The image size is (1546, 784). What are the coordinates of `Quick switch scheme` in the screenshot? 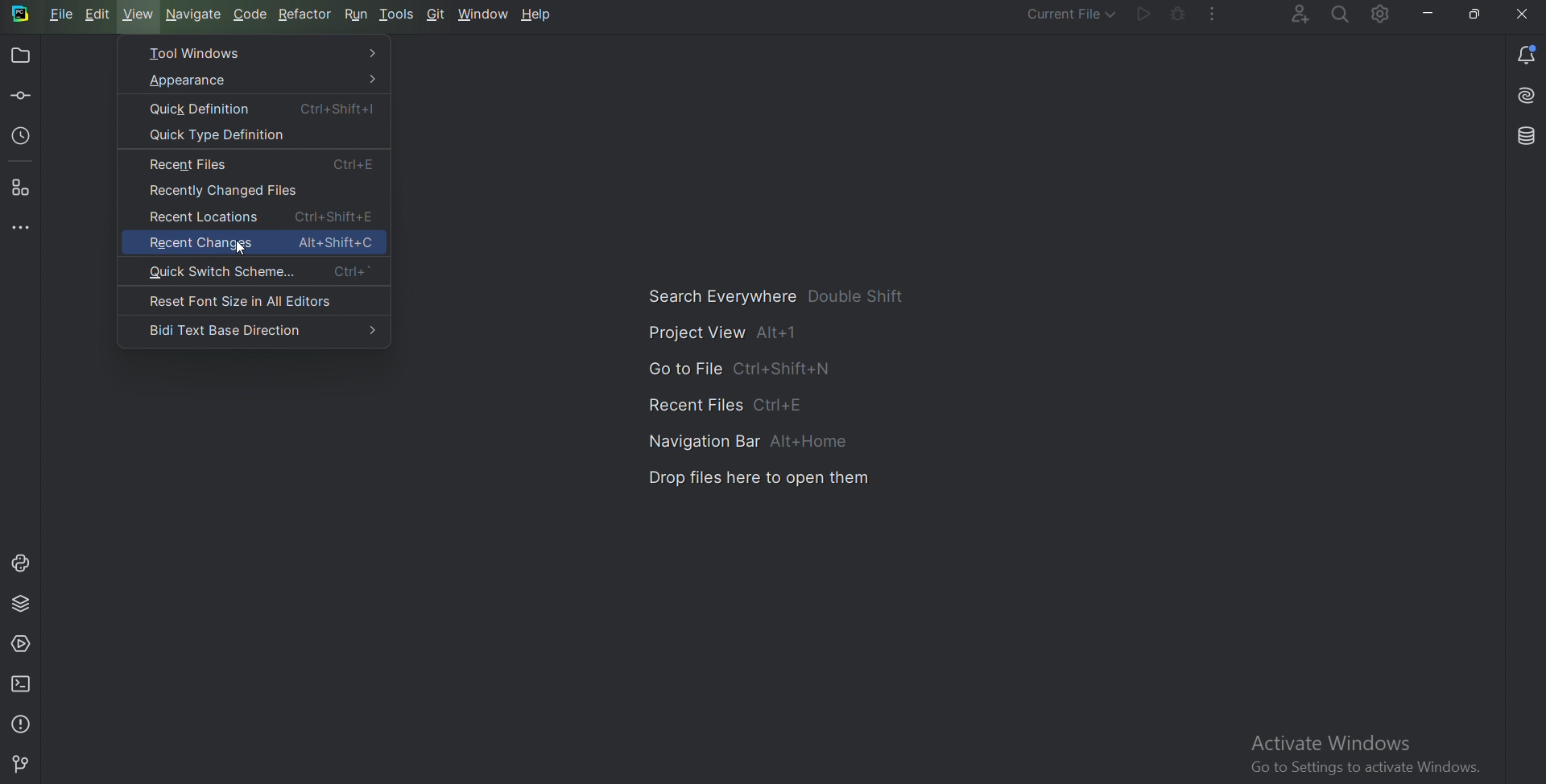 It's located at (253, 271).